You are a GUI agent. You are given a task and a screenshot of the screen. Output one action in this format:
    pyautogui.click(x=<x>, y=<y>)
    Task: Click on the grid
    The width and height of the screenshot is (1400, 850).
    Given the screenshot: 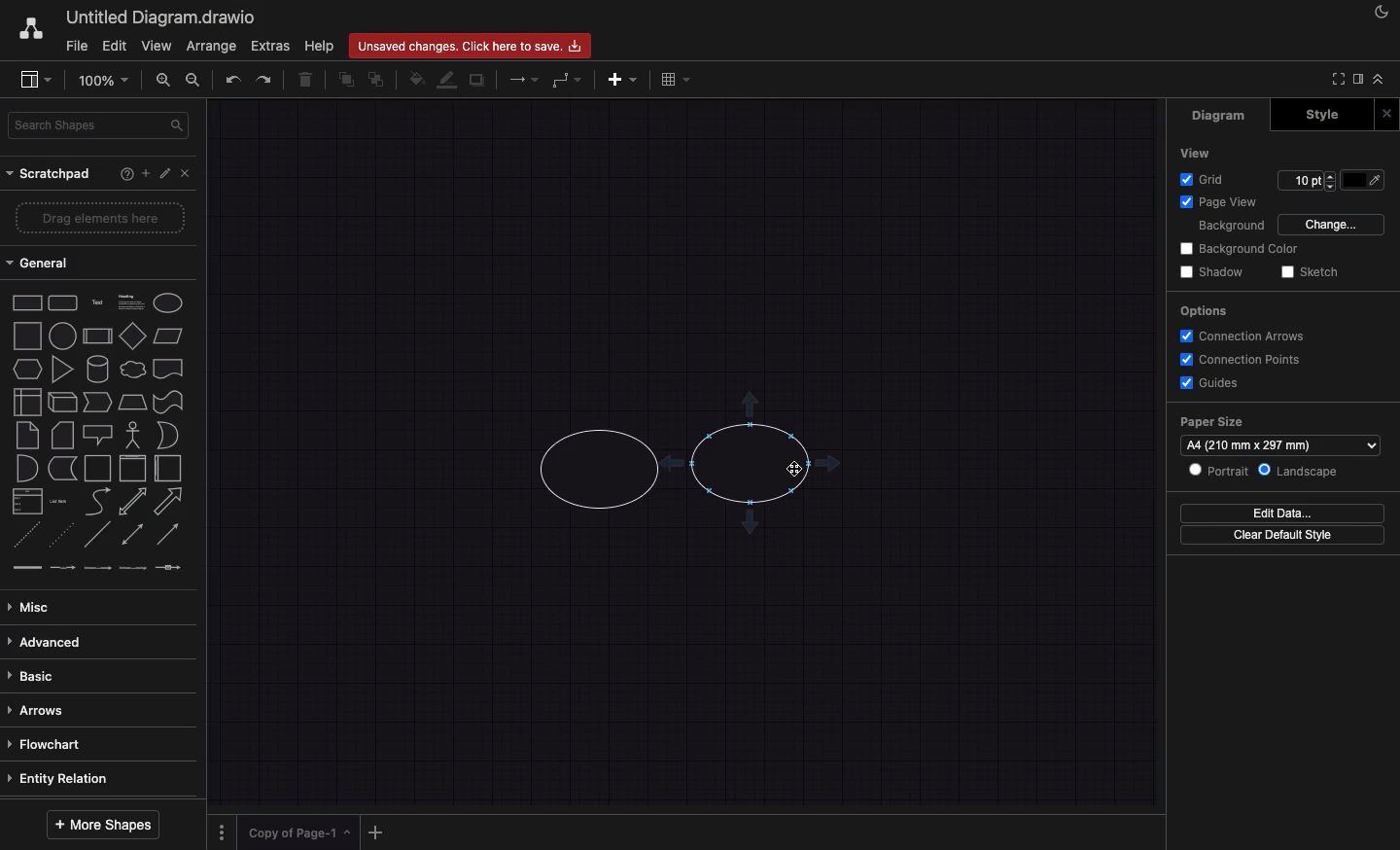 What is the action you would take?
    pyautogui.click(x=1203, y=181)
    